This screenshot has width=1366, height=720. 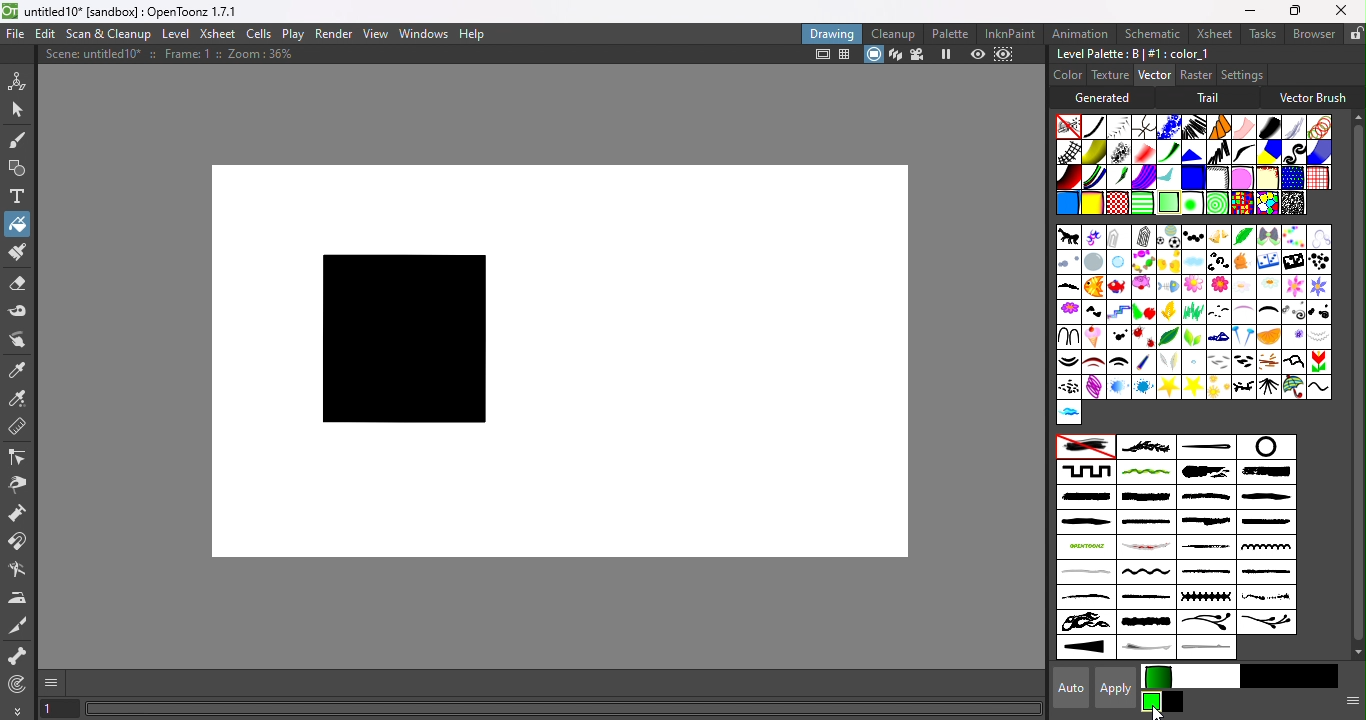 What do you see at coordinates (1204, 522) in the screenshot?
I see `medium_brush4` at bounding box center [1204, 522].